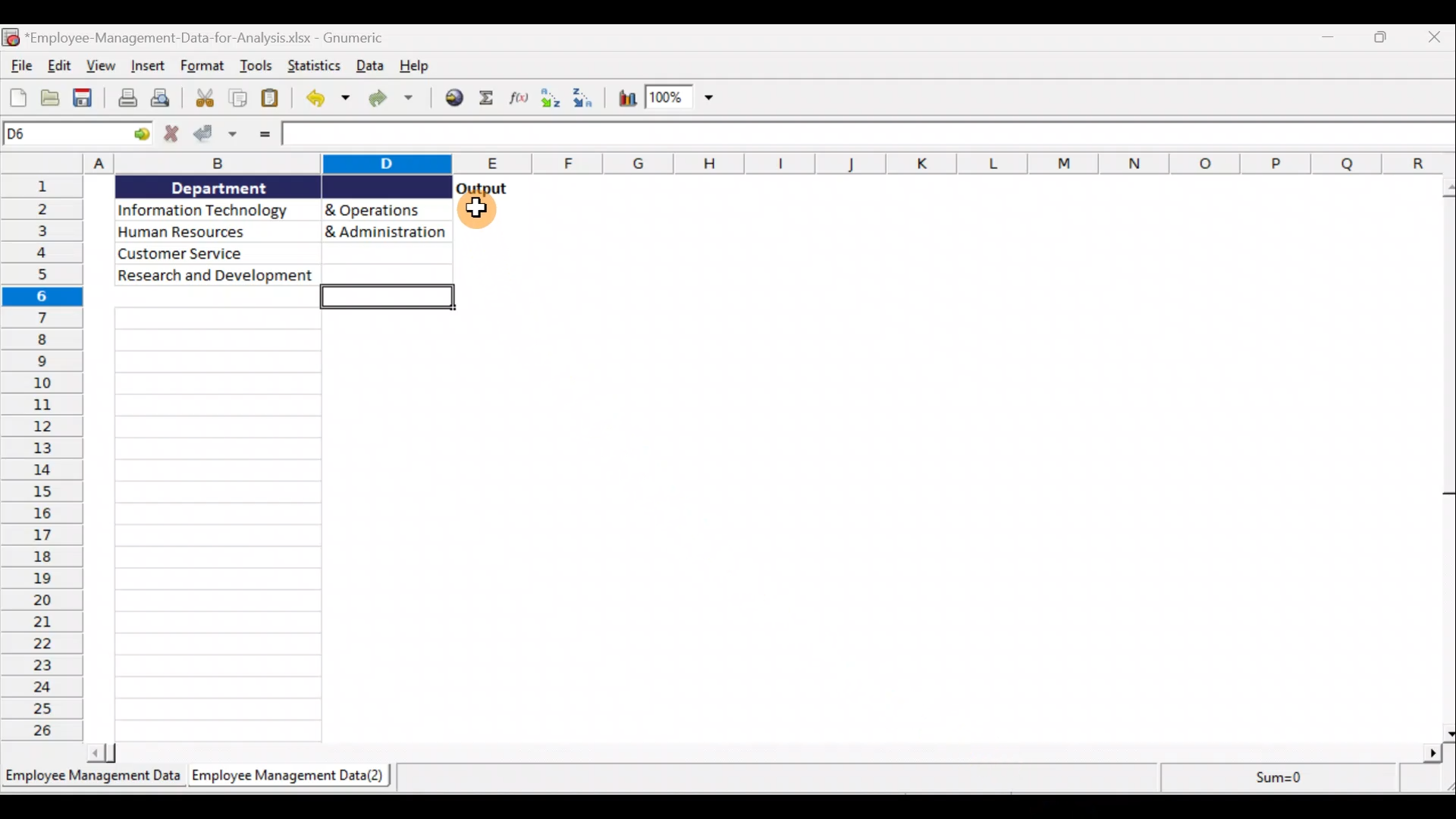  I want to click on Tools, so click(258, 64).